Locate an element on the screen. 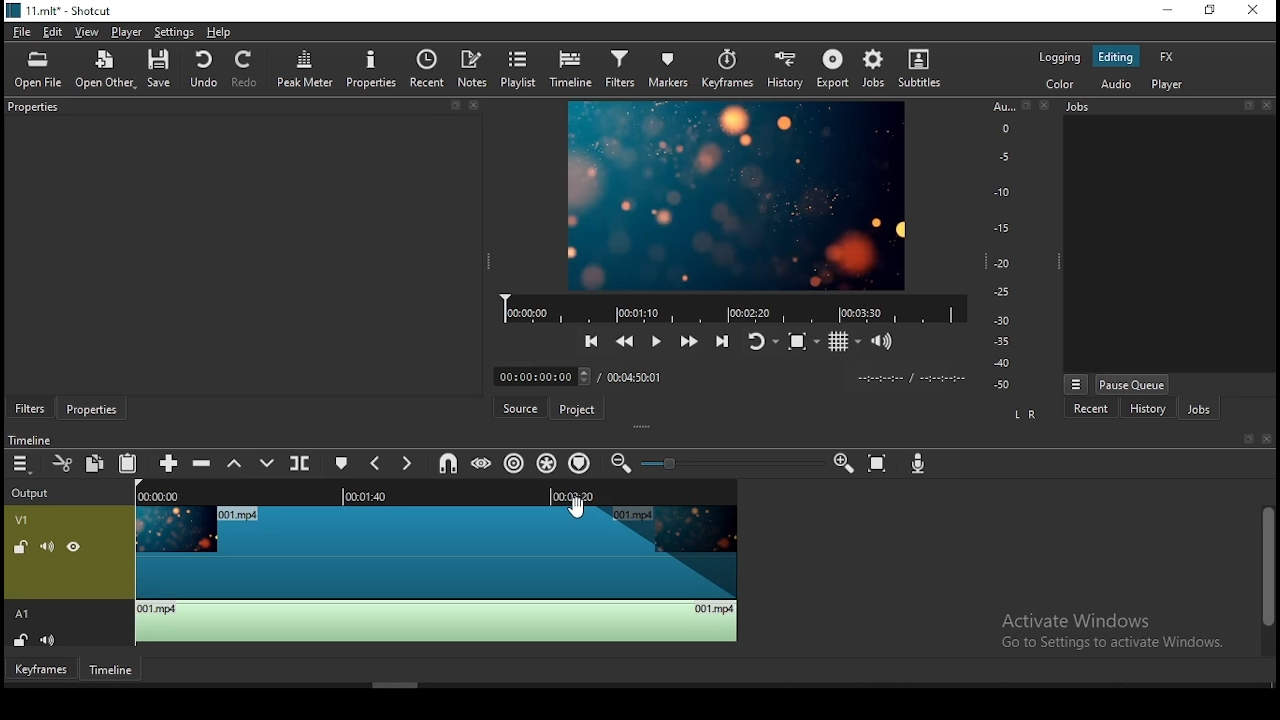  copy is located at coordinates (96, 465).